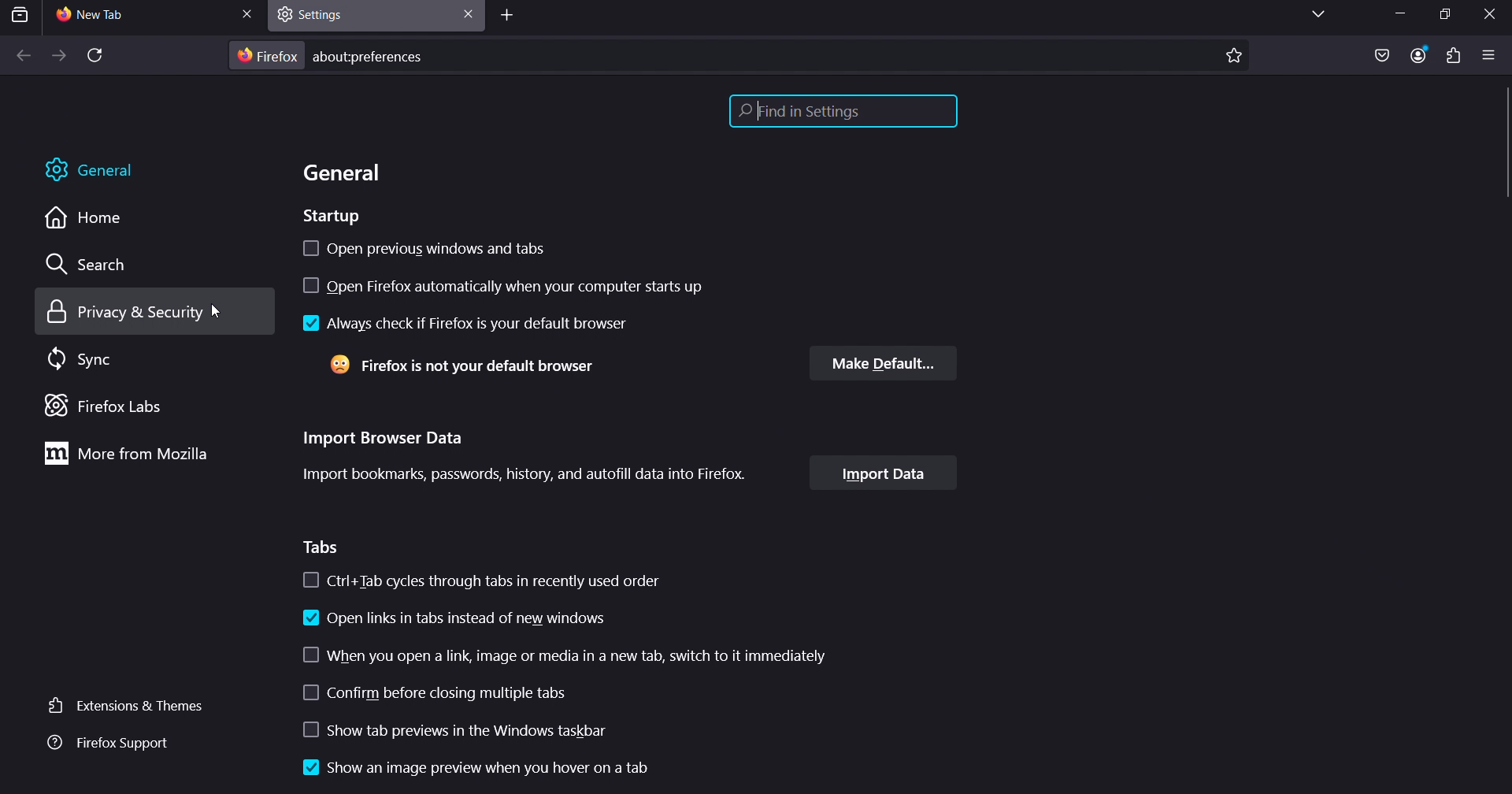 The height and width of the screenshot is (794, 1512). Describe the element at coordinates (1381, 56) in the screenshot. I see `save as pocket` at that location.